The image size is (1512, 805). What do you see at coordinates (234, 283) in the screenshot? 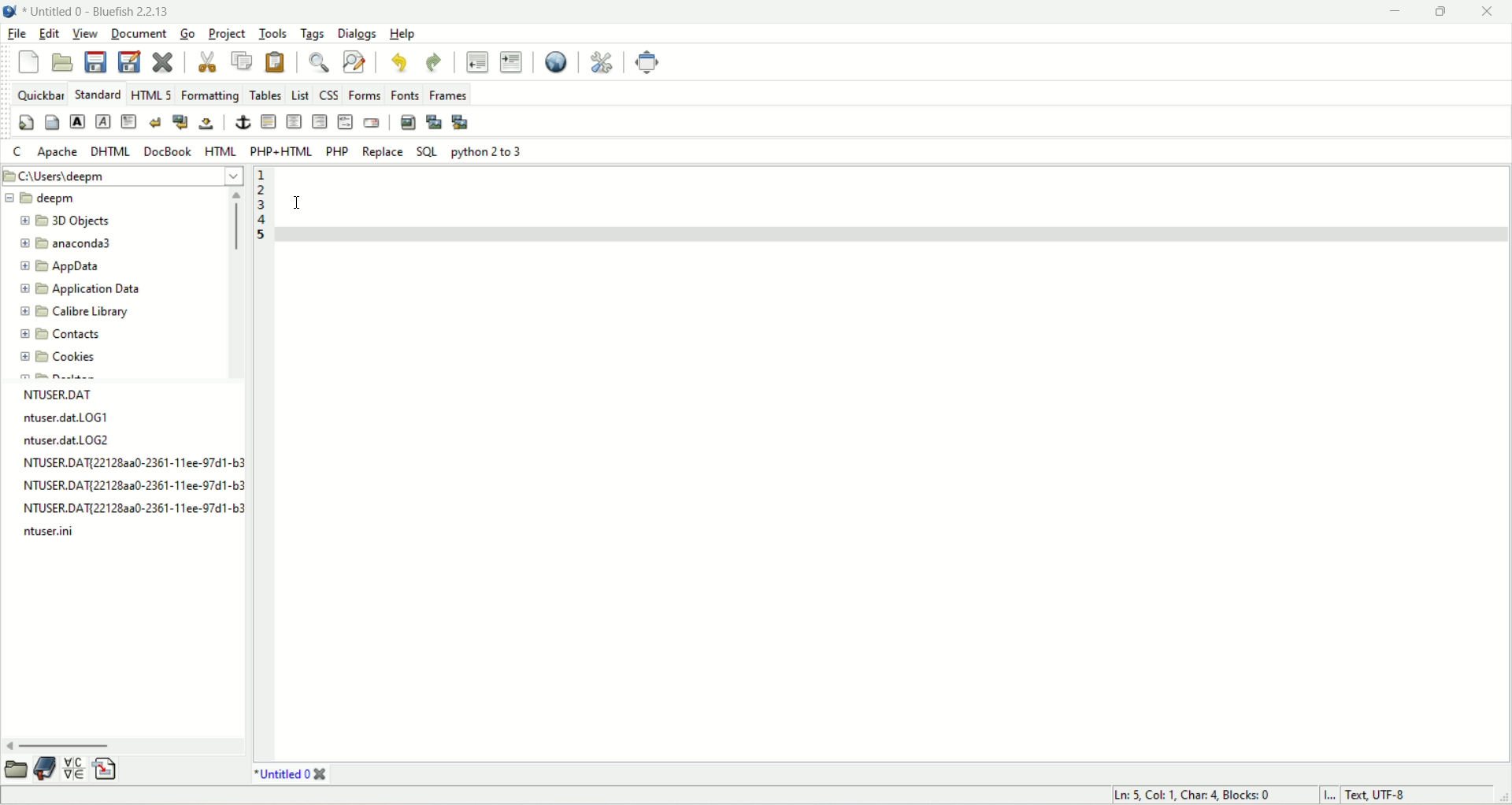
I see `vertical scroll bar` at bounding box center [234, 283].